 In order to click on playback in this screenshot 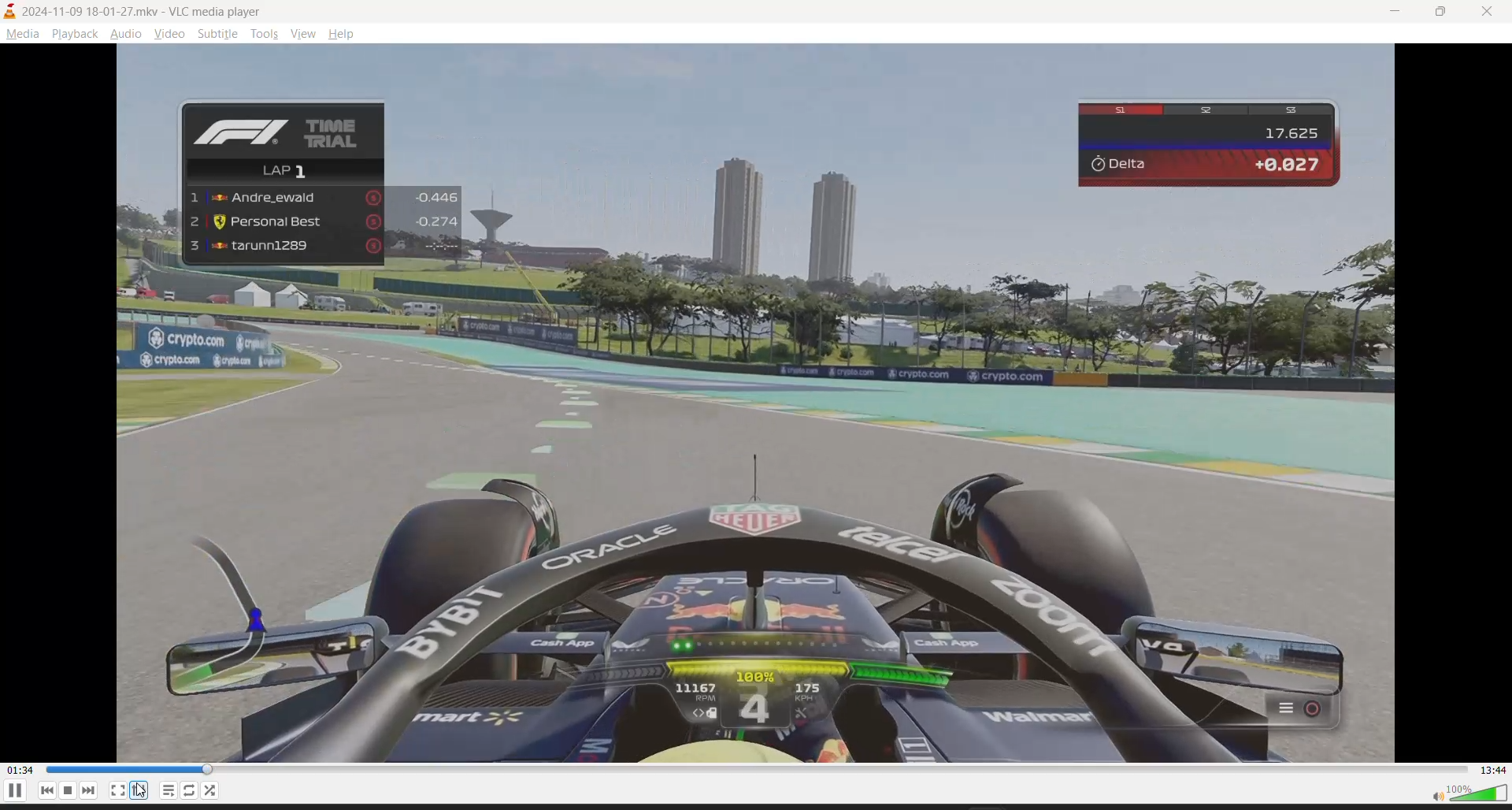, I will do `click(76, 34)`.